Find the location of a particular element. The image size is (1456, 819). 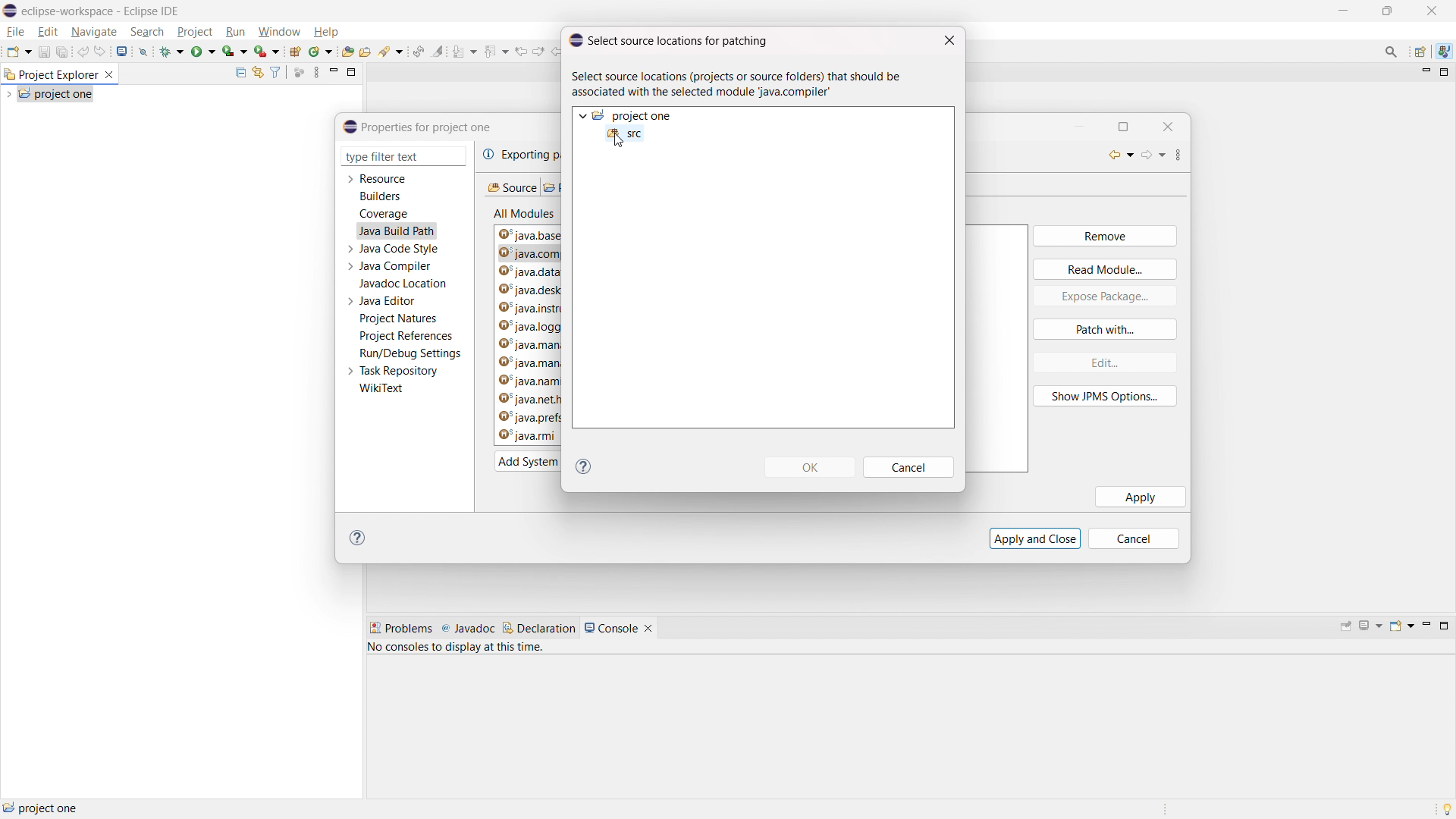

builders is located at coordinates (380, 196).